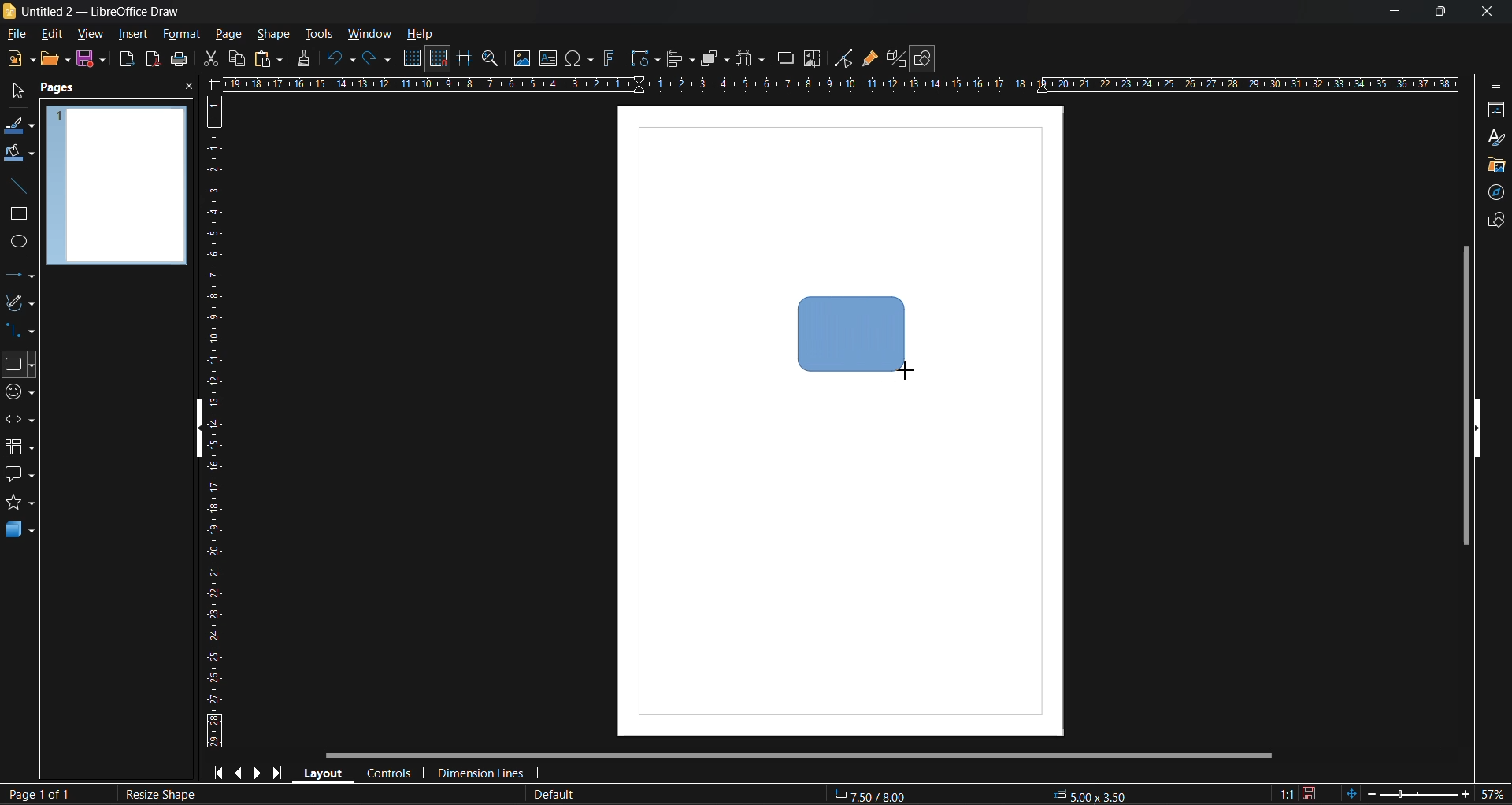 The image size is (1512, 805). I want to click on shadow, so click(787, 58).